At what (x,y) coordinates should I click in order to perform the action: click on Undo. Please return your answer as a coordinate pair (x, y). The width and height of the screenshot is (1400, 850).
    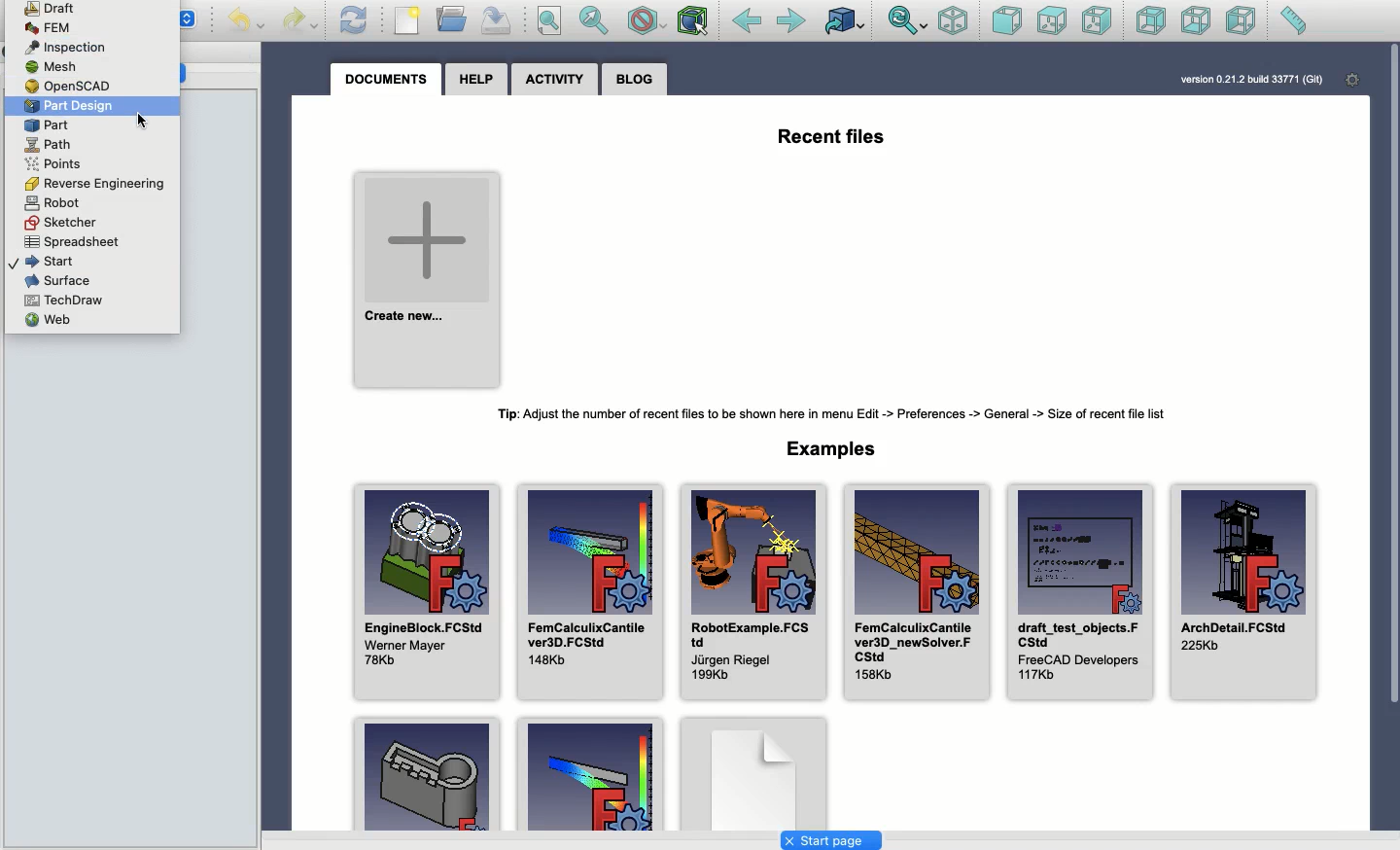
    Looking at the image, I should click on (249, 23).